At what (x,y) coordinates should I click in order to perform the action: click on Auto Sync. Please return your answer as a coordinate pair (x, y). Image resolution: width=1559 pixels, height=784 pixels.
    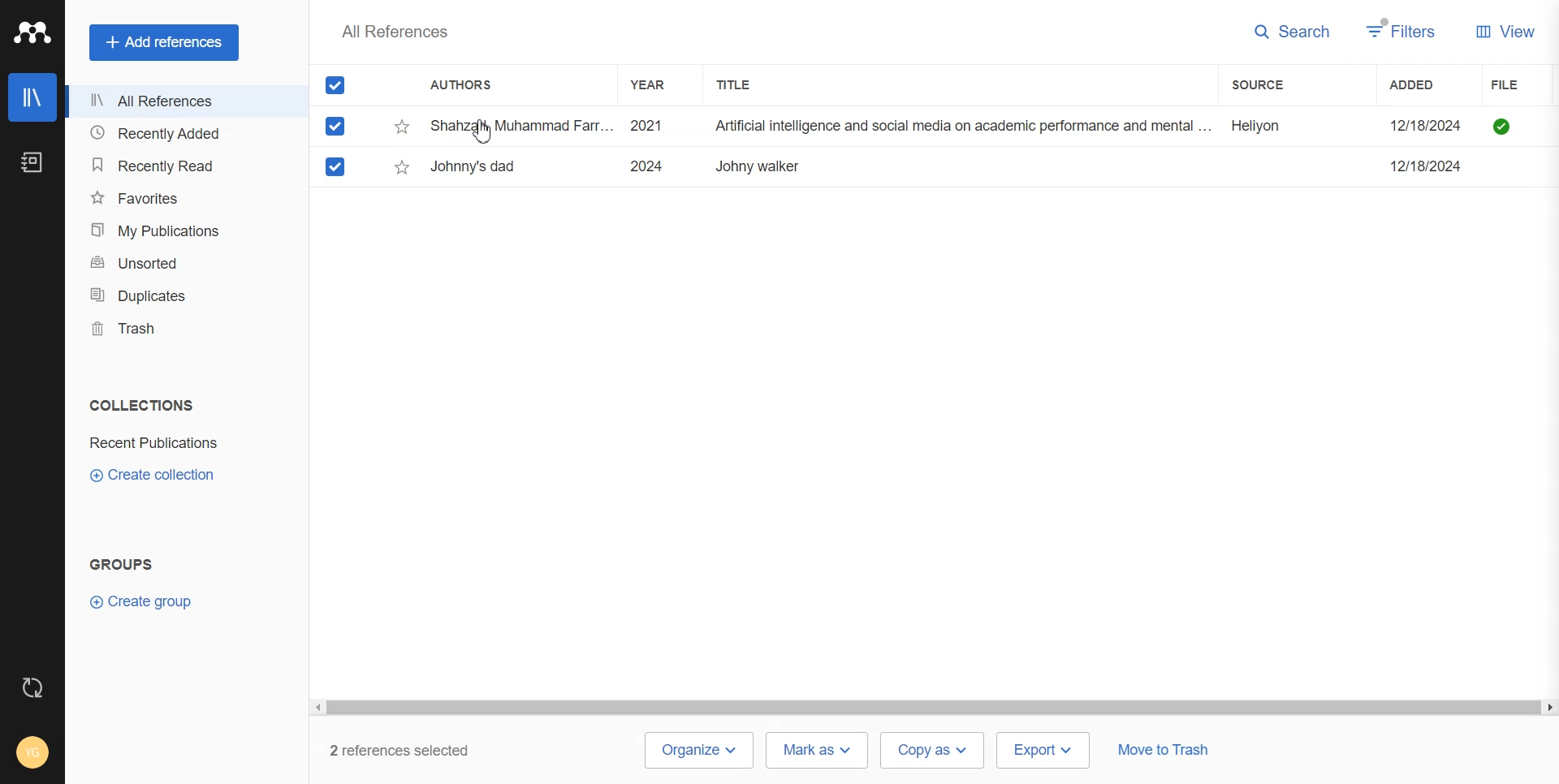
    Looking at the image, I should click on (33, 687).